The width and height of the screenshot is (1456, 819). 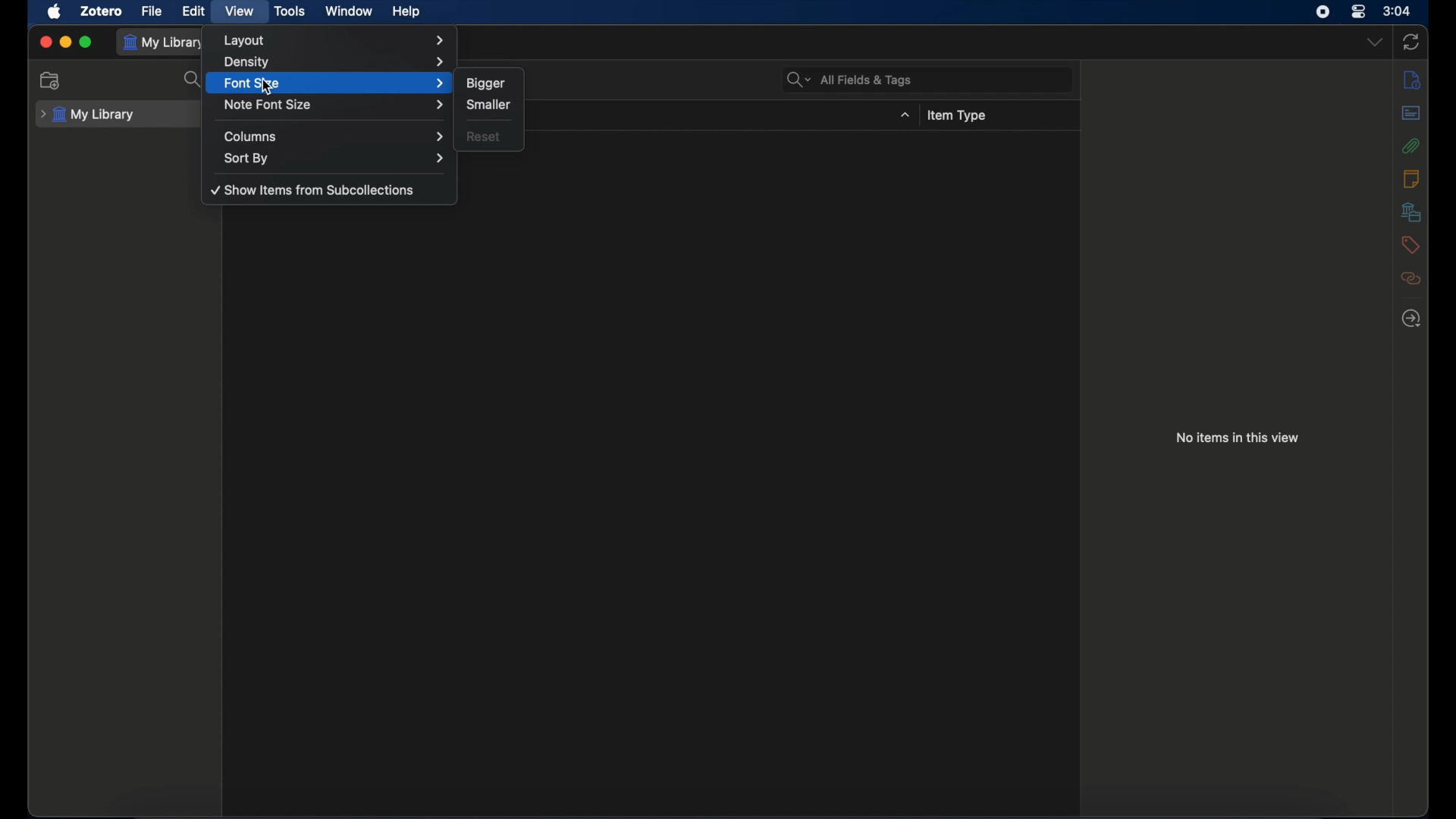 What do you see at coordinates (51, 80) in the screenshot?
I see `new collection` at bounding box center [51, 80].